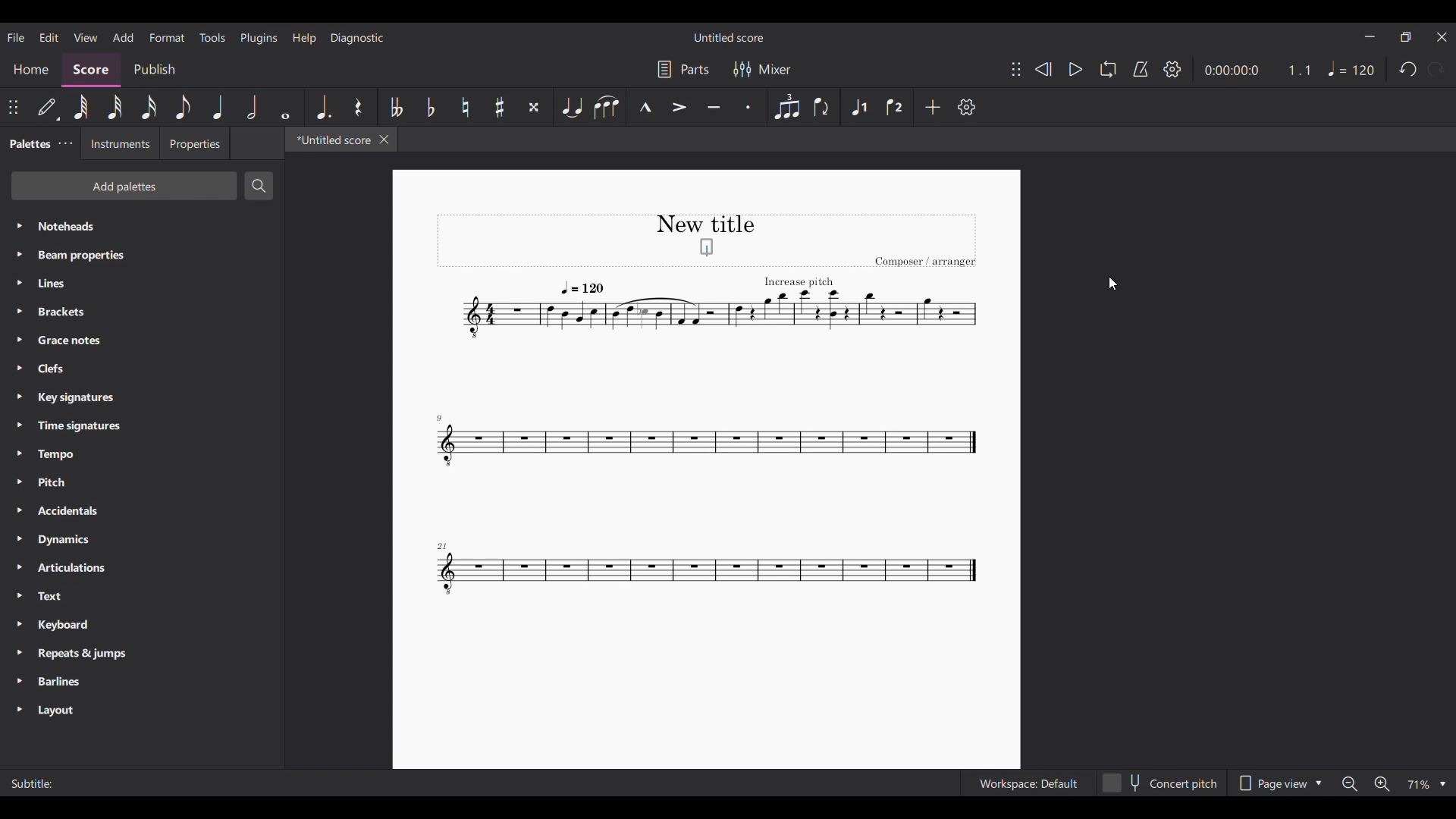 This screenshot has height=819, width=1456. I want to click on Dynamics, so click(141, 540).